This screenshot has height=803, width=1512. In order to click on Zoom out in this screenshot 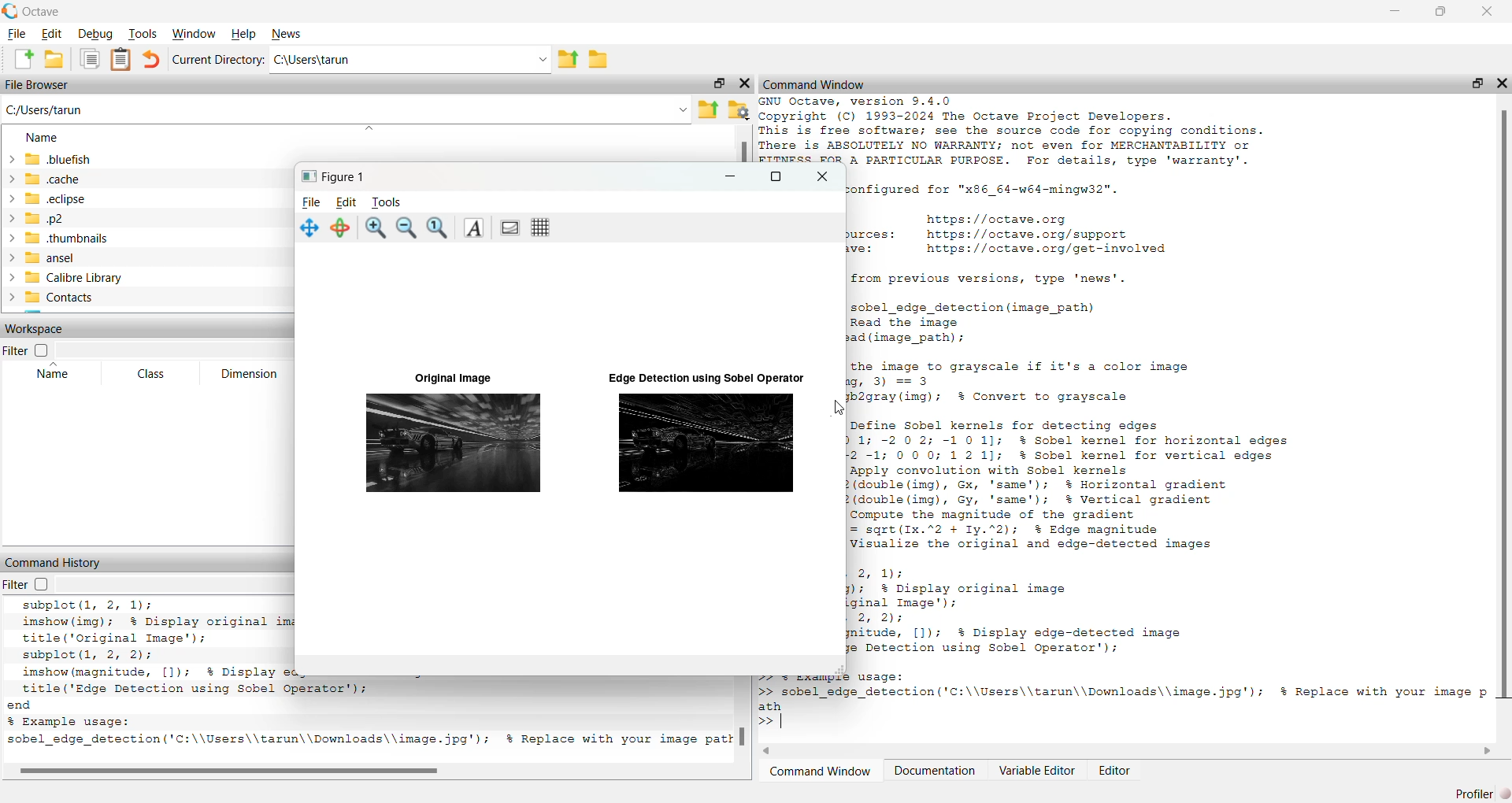, I will do `click(407, 231)`.